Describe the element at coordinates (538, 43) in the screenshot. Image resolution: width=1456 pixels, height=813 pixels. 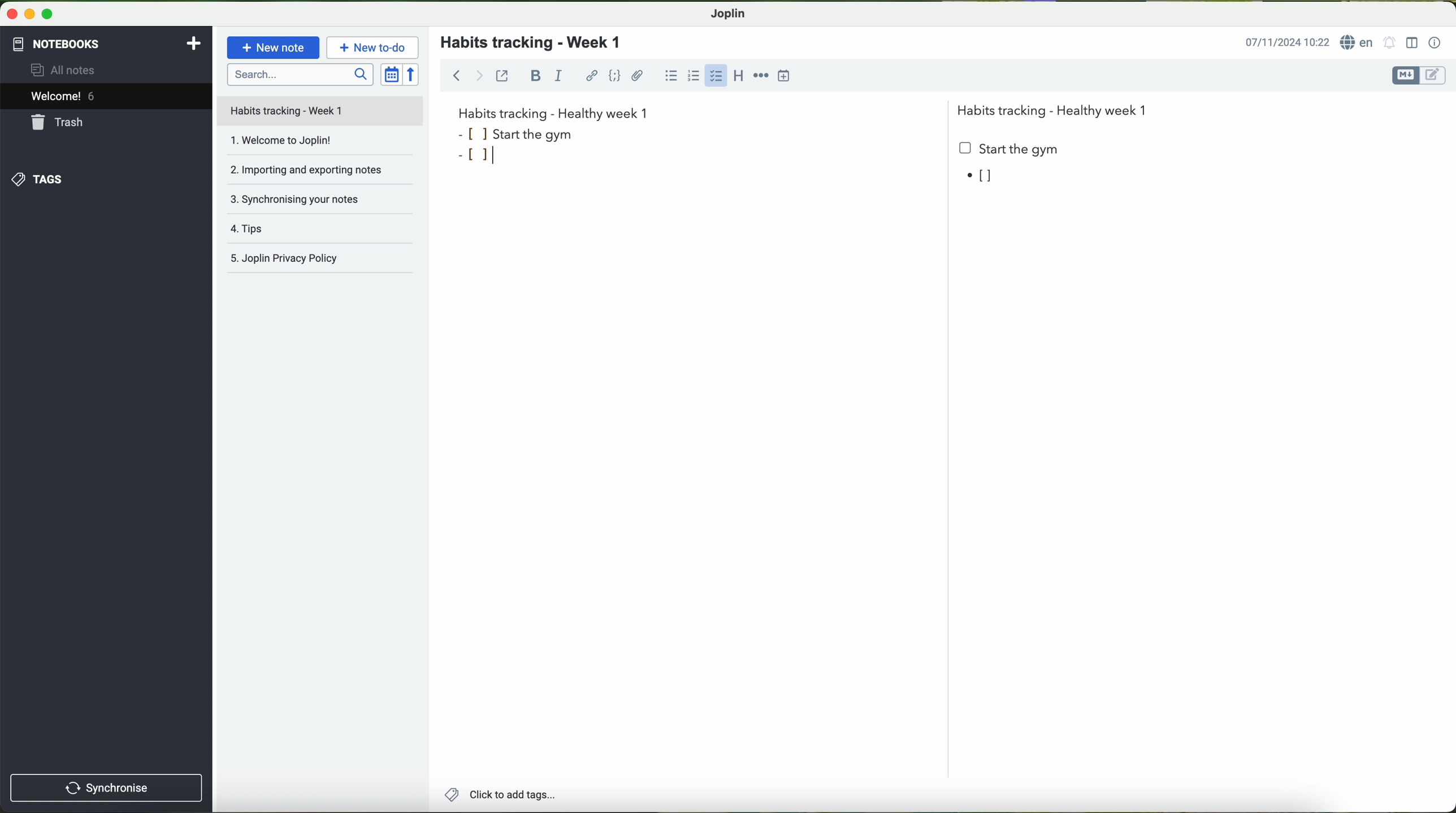
I see `habits tracking - week 1` at that location.